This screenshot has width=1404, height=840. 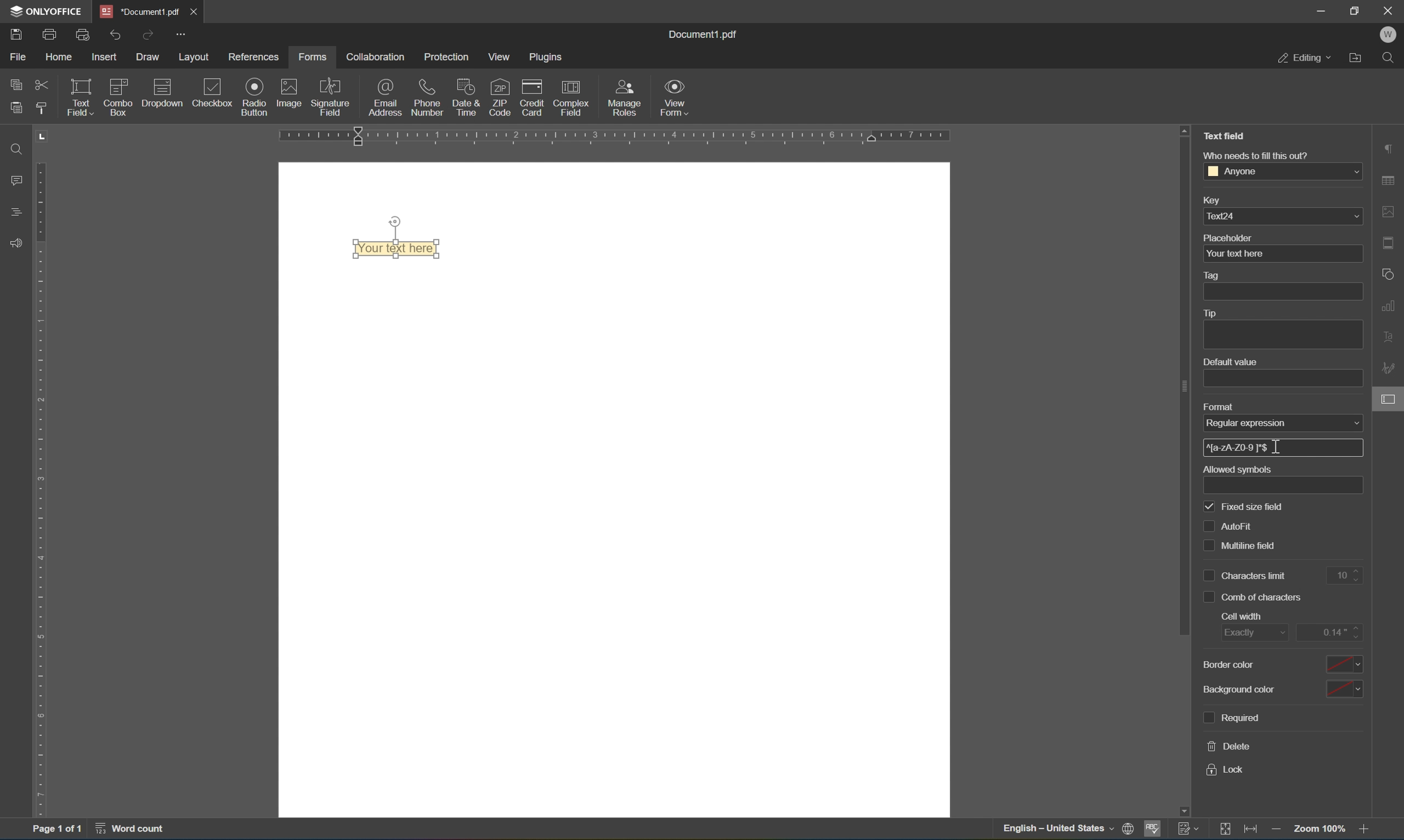 What do you see at coordinates (1330, 632) in the screenshot?
I see `edit cell width` at bounding box center [1330, 632].